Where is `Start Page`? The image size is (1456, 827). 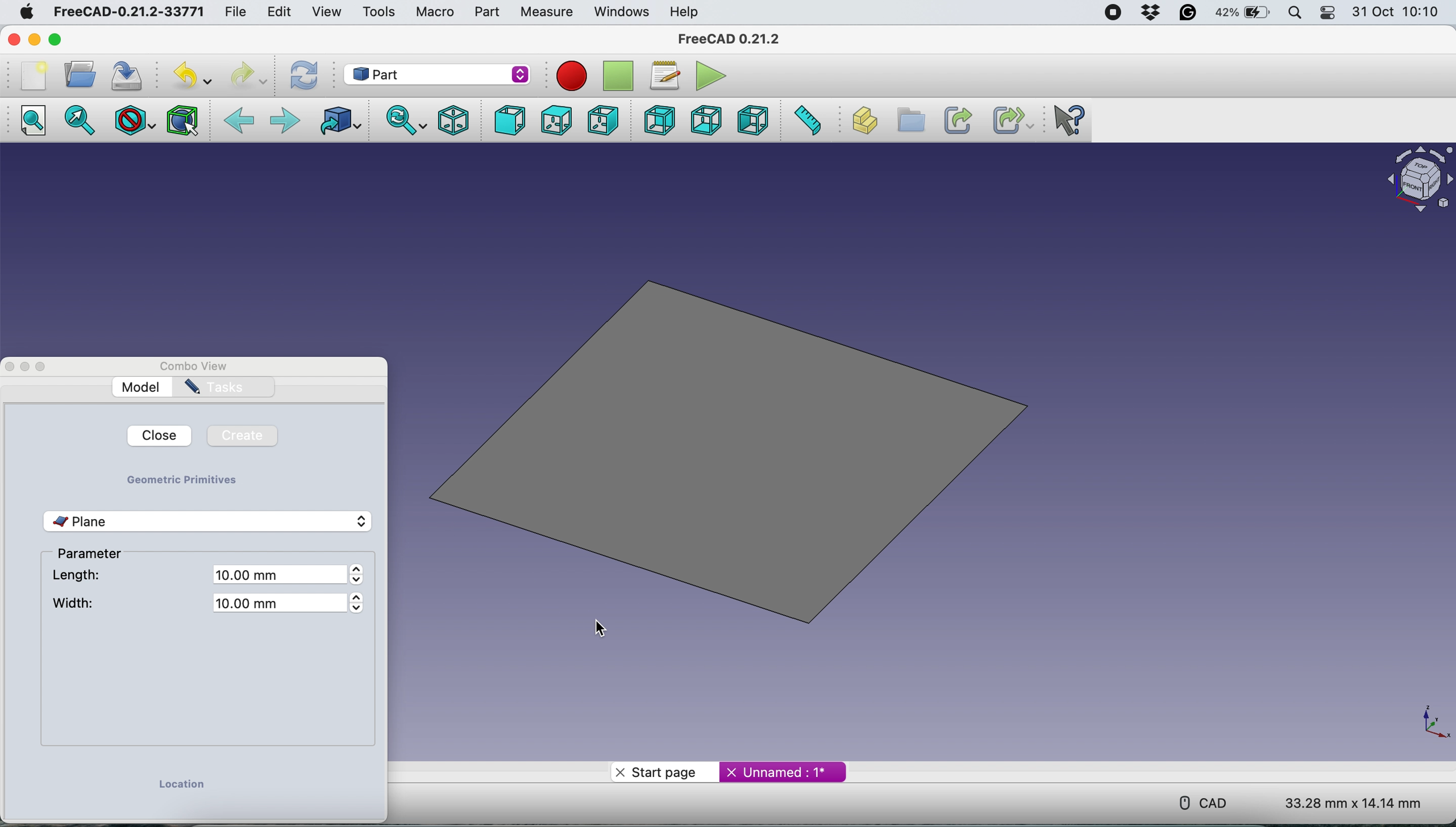
Start Page is located at coordinates (658, 771).